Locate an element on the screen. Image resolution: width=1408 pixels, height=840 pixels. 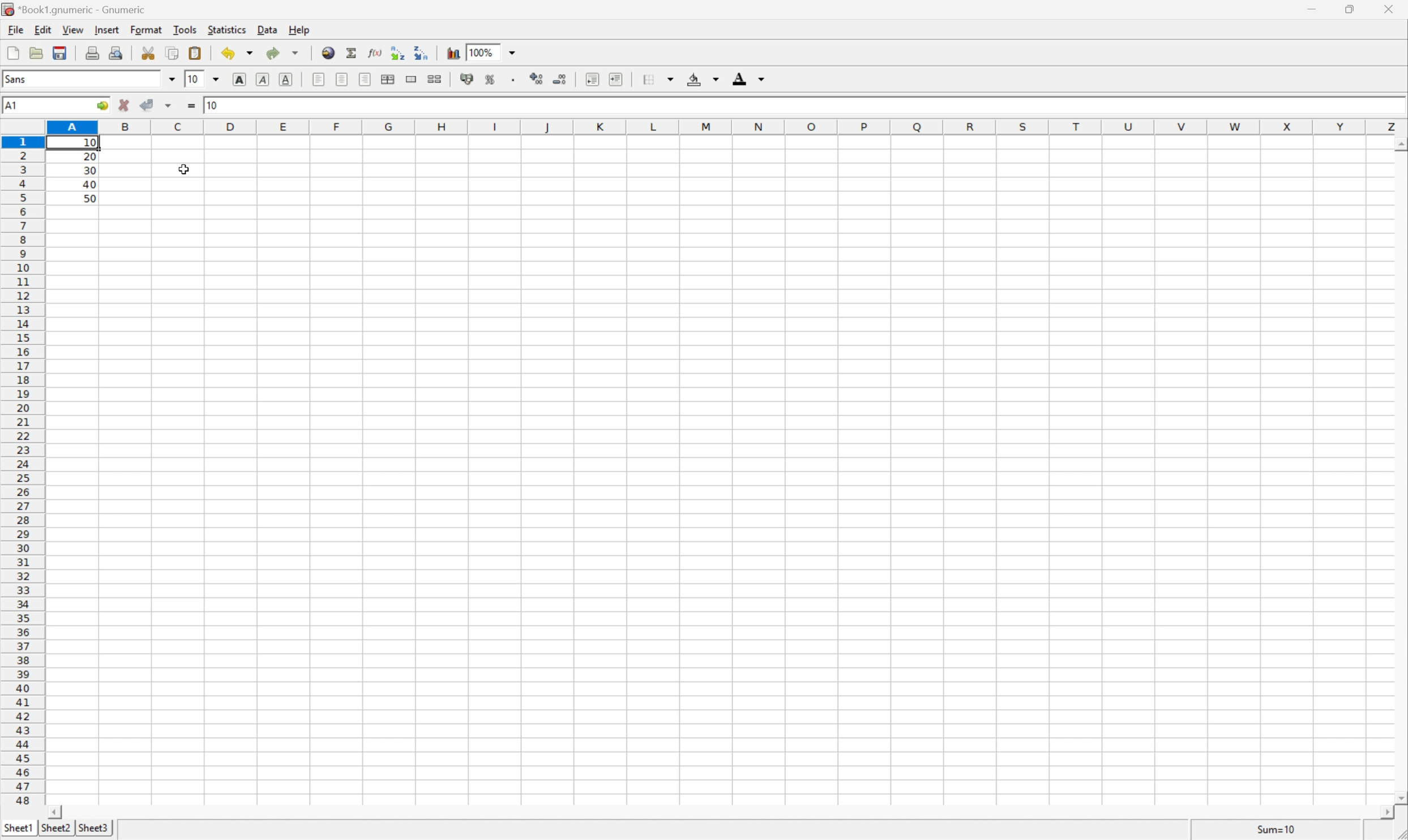
Scroll down is located at coordinates (1399, 797).